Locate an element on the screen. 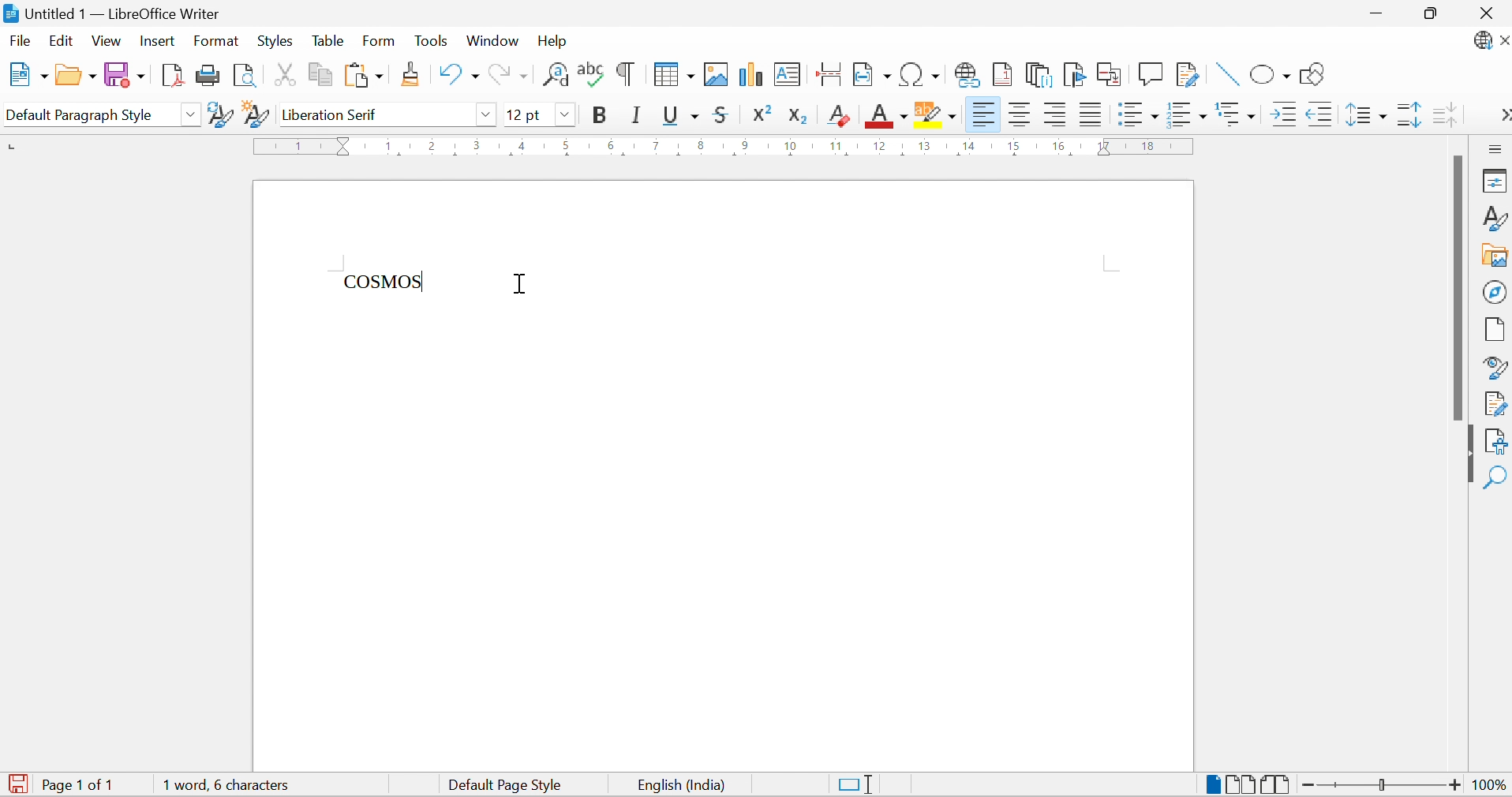 This screenshot has height=797, width=1512. Show Track Changes Functions is located at coordinates (1190, 77).